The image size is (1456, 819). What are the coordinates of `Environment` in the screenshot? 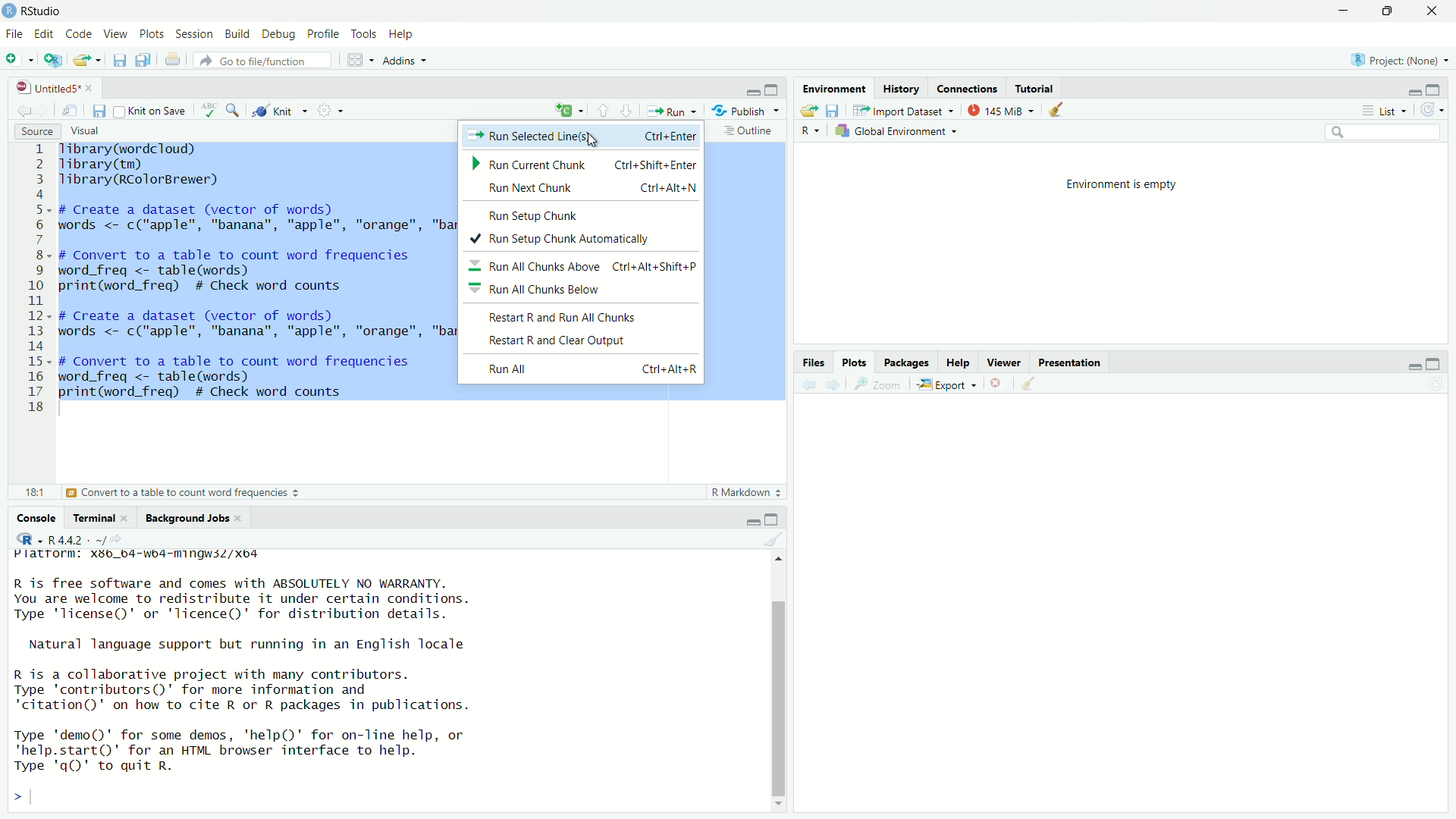 It's located at (833, 89).